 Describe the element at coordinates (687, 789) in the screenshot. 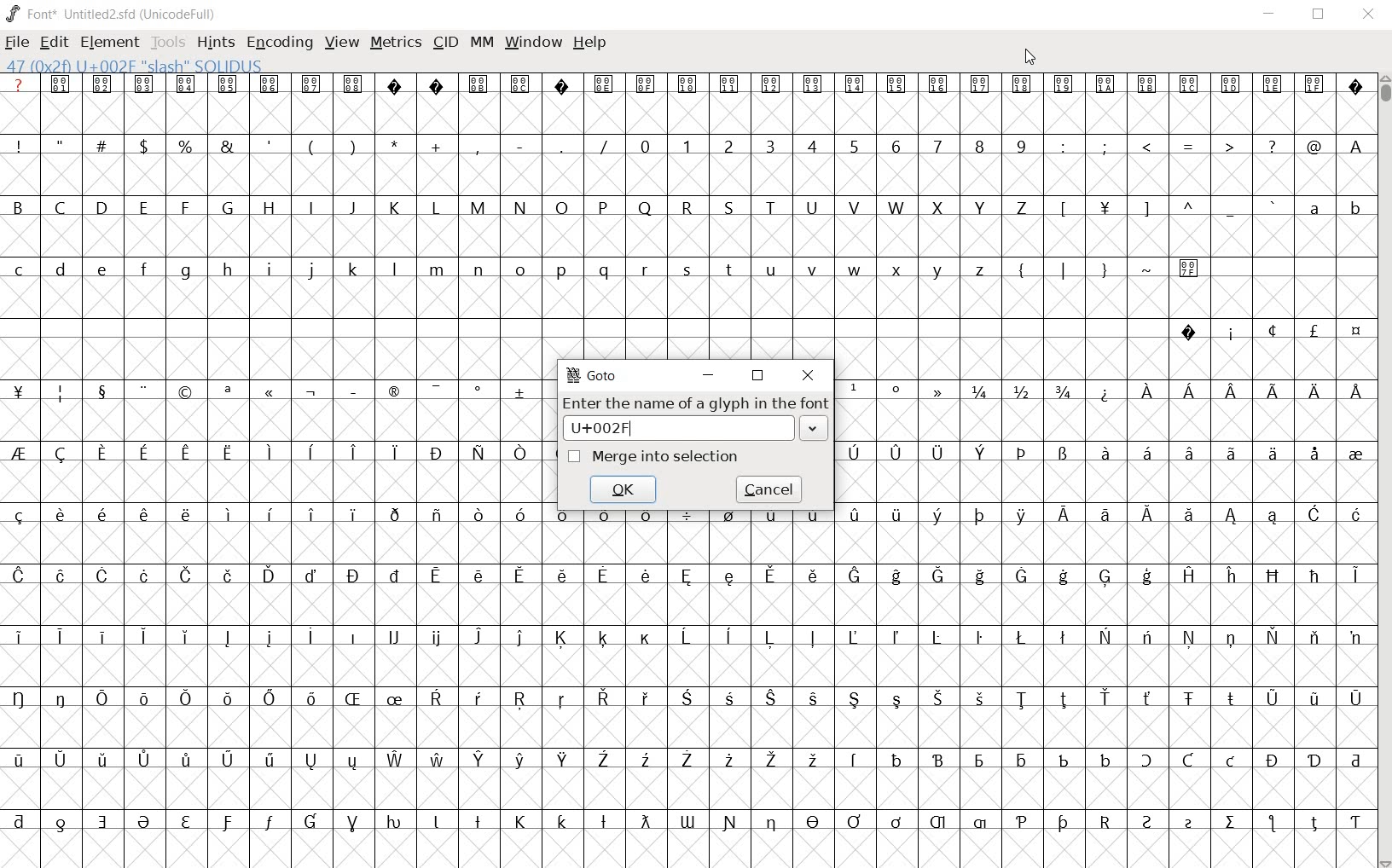

I see `empty cells` at that location.